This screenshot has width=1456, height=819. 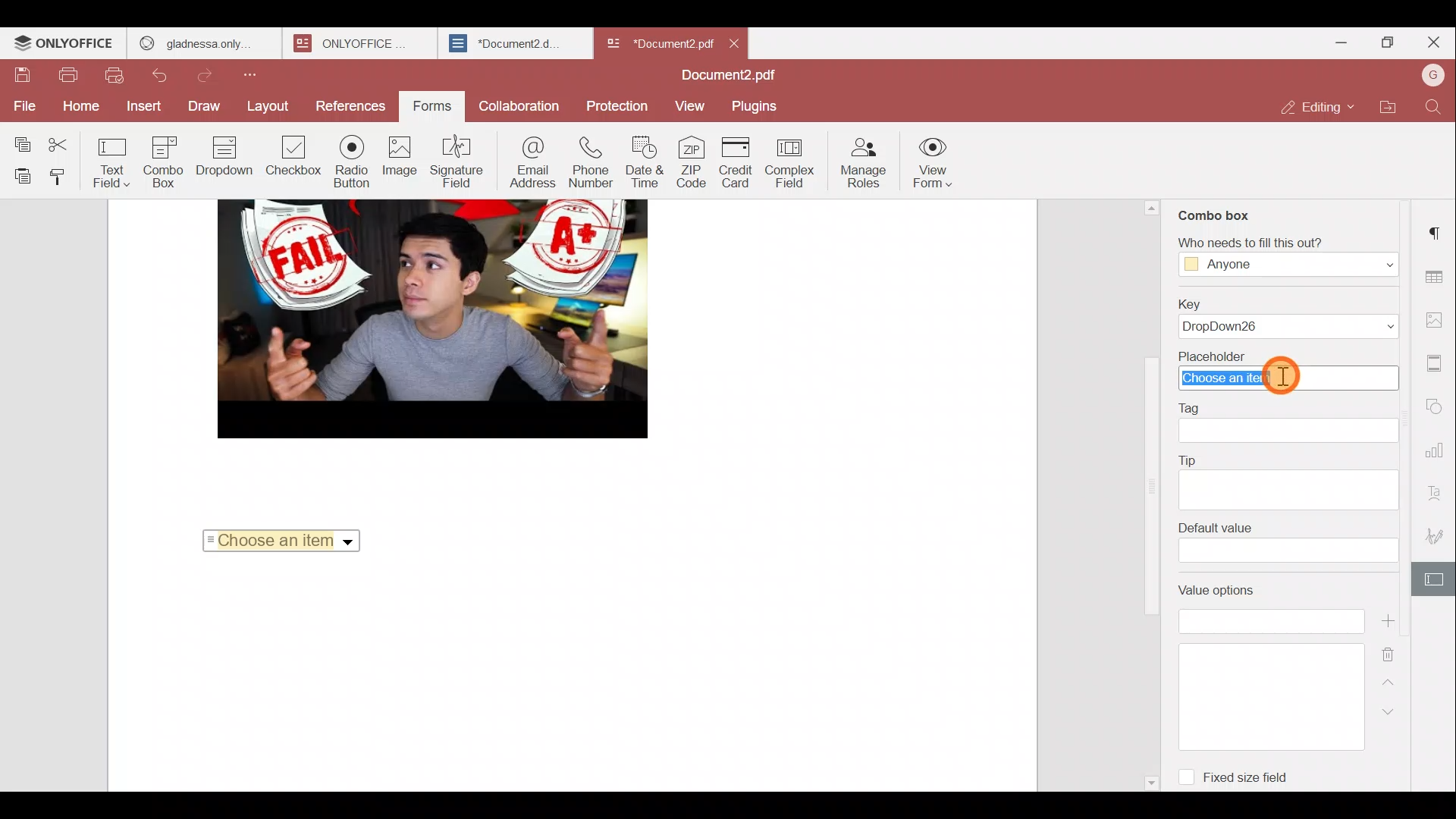 I want to click on Up, so click(x=1389, y=687).